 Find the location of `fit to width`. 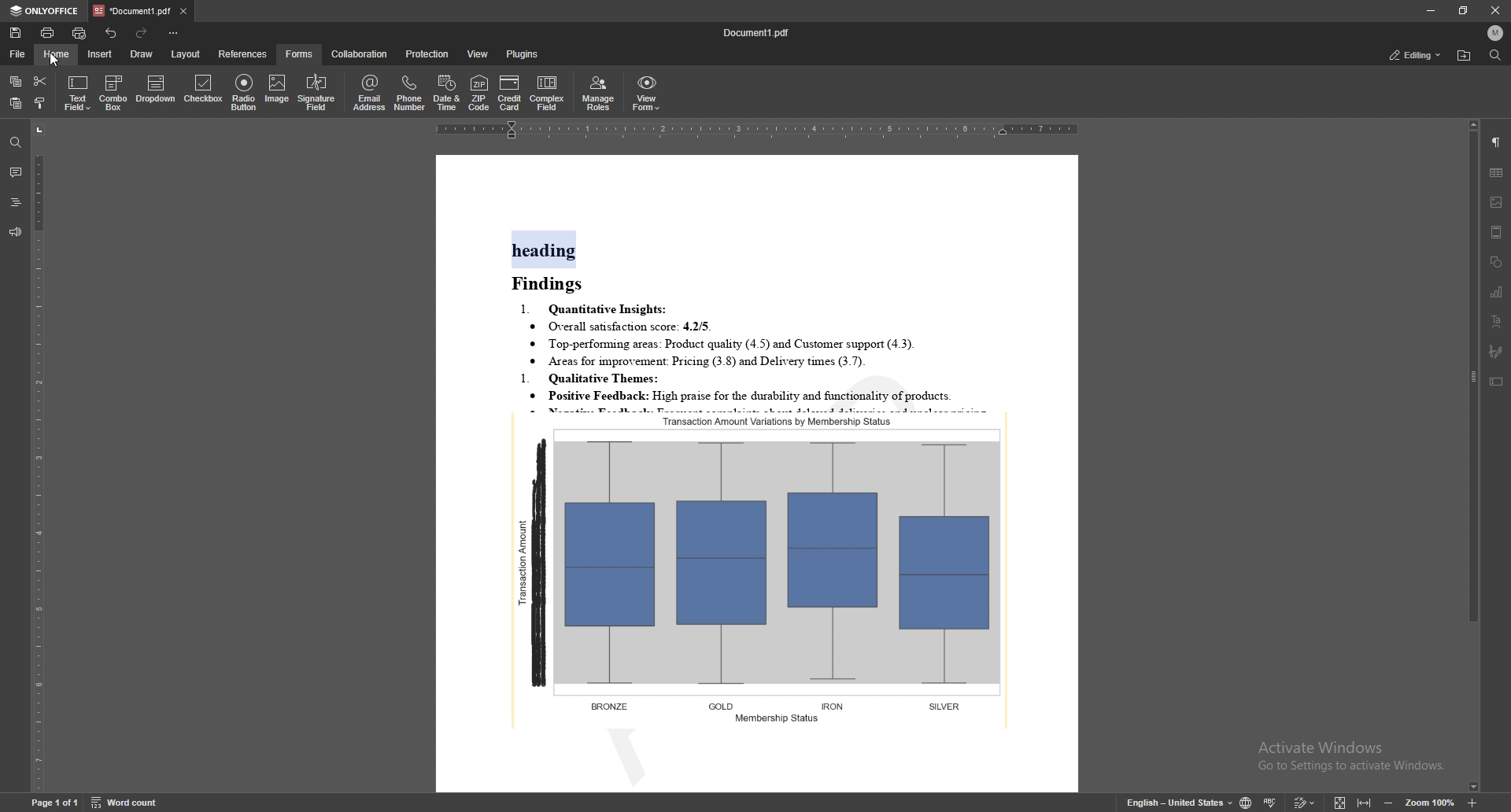

fit to width is located at coordinates (1364, 804).